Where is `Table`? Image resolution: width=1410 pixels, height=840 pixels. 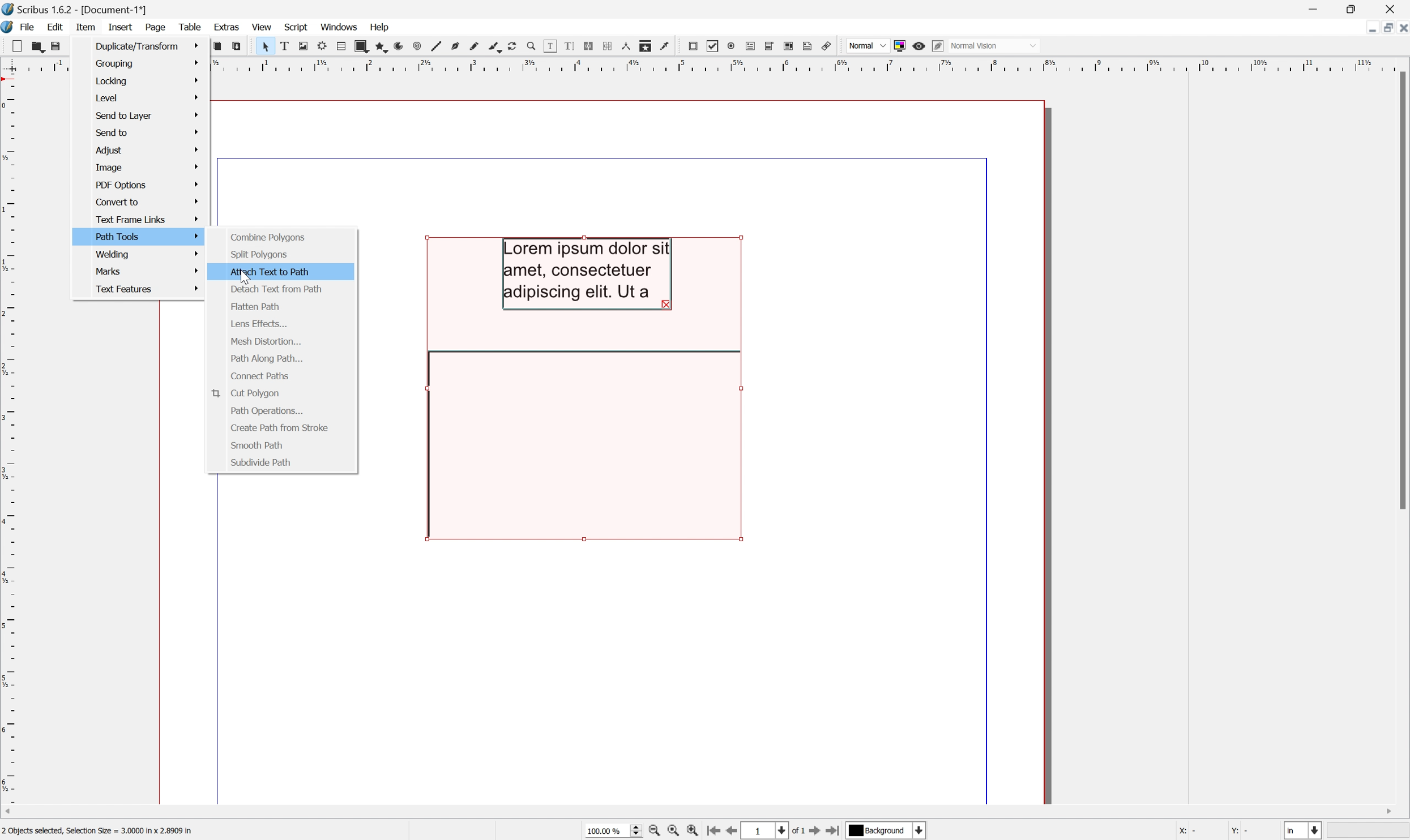 Table is located at coordinates (341, 45).